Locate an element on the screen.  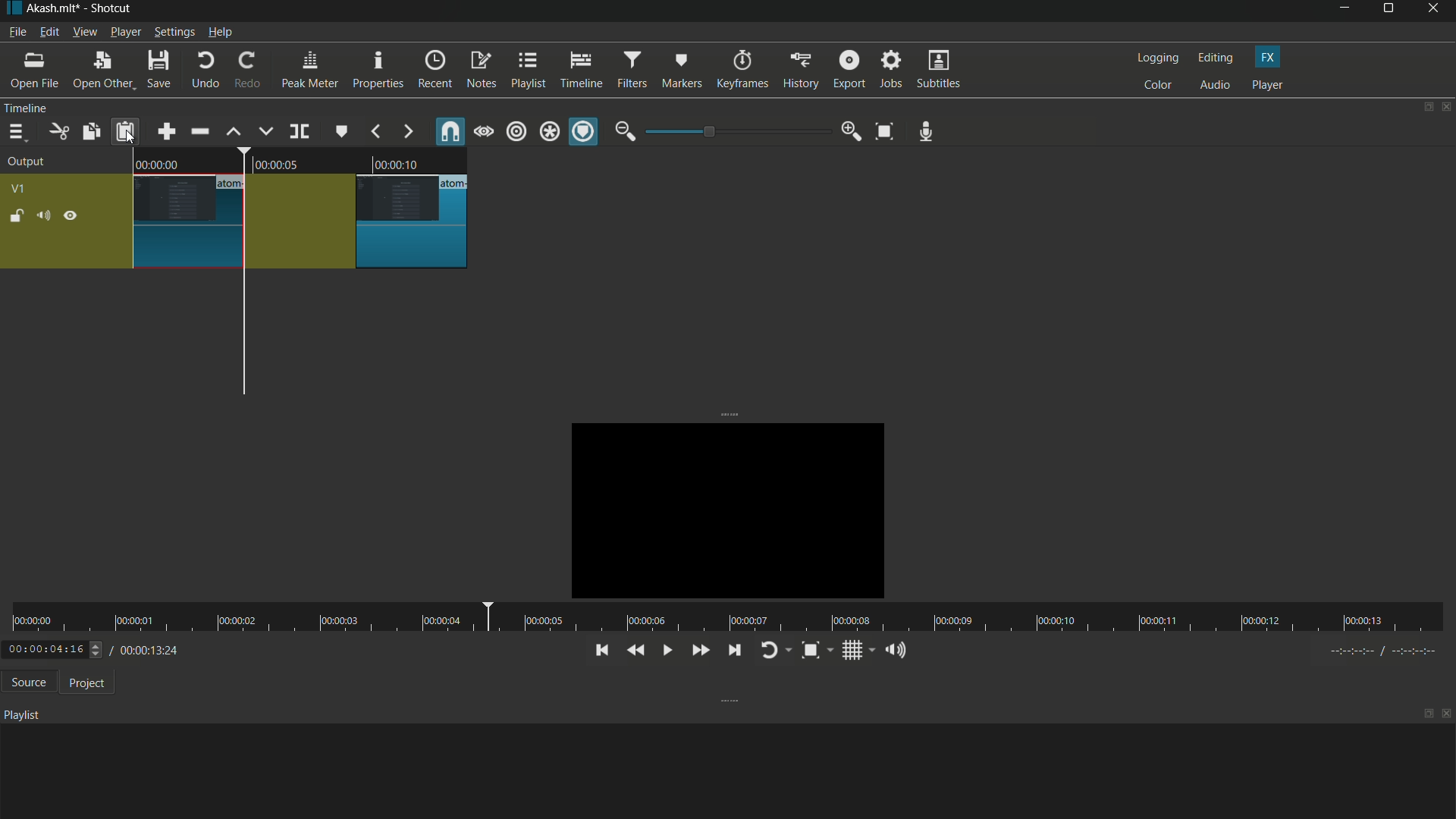
project is located at coordinates (83, 682).